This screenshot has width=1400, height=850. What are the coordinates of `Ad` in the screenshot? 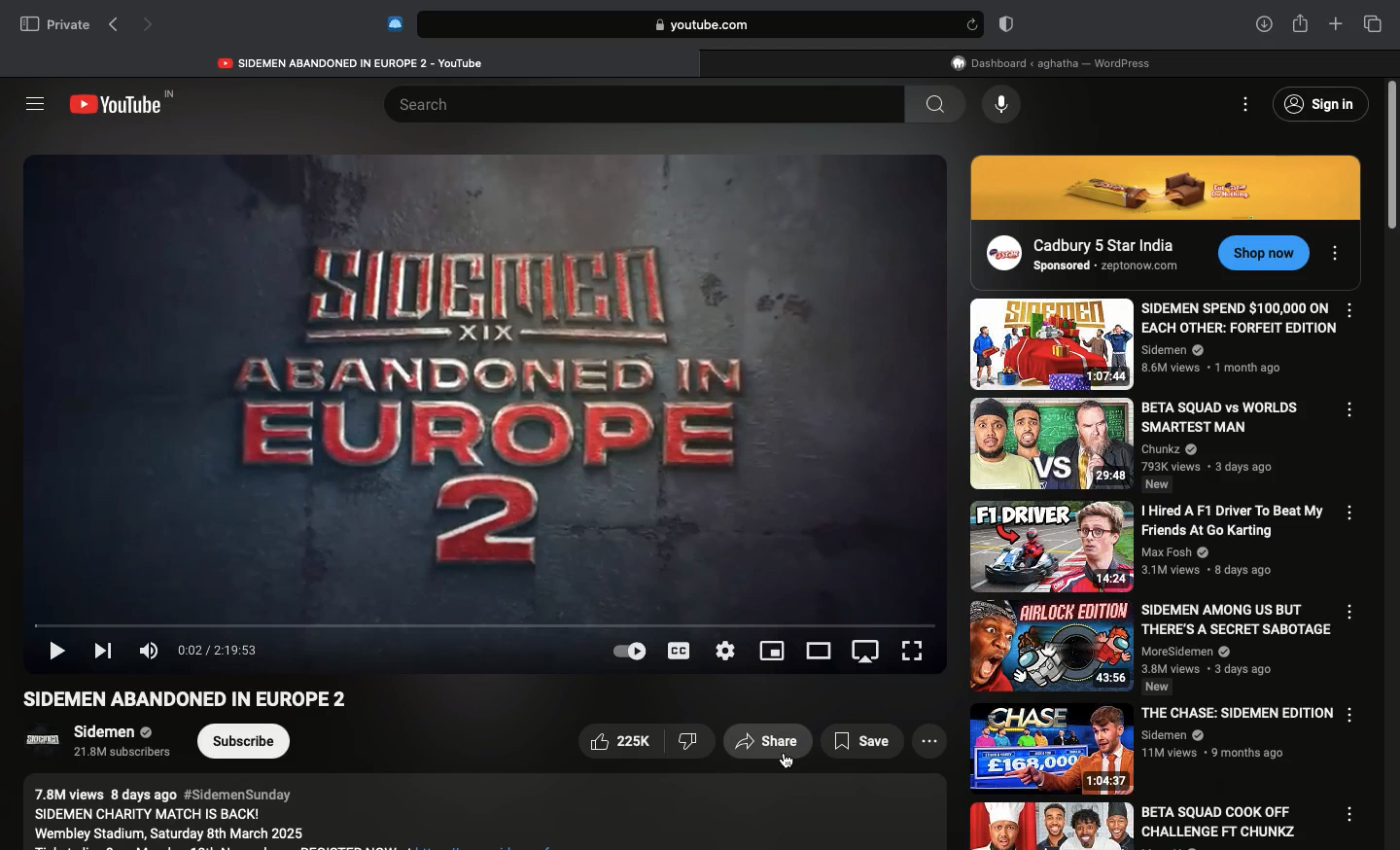 It's located at (1169, 188).